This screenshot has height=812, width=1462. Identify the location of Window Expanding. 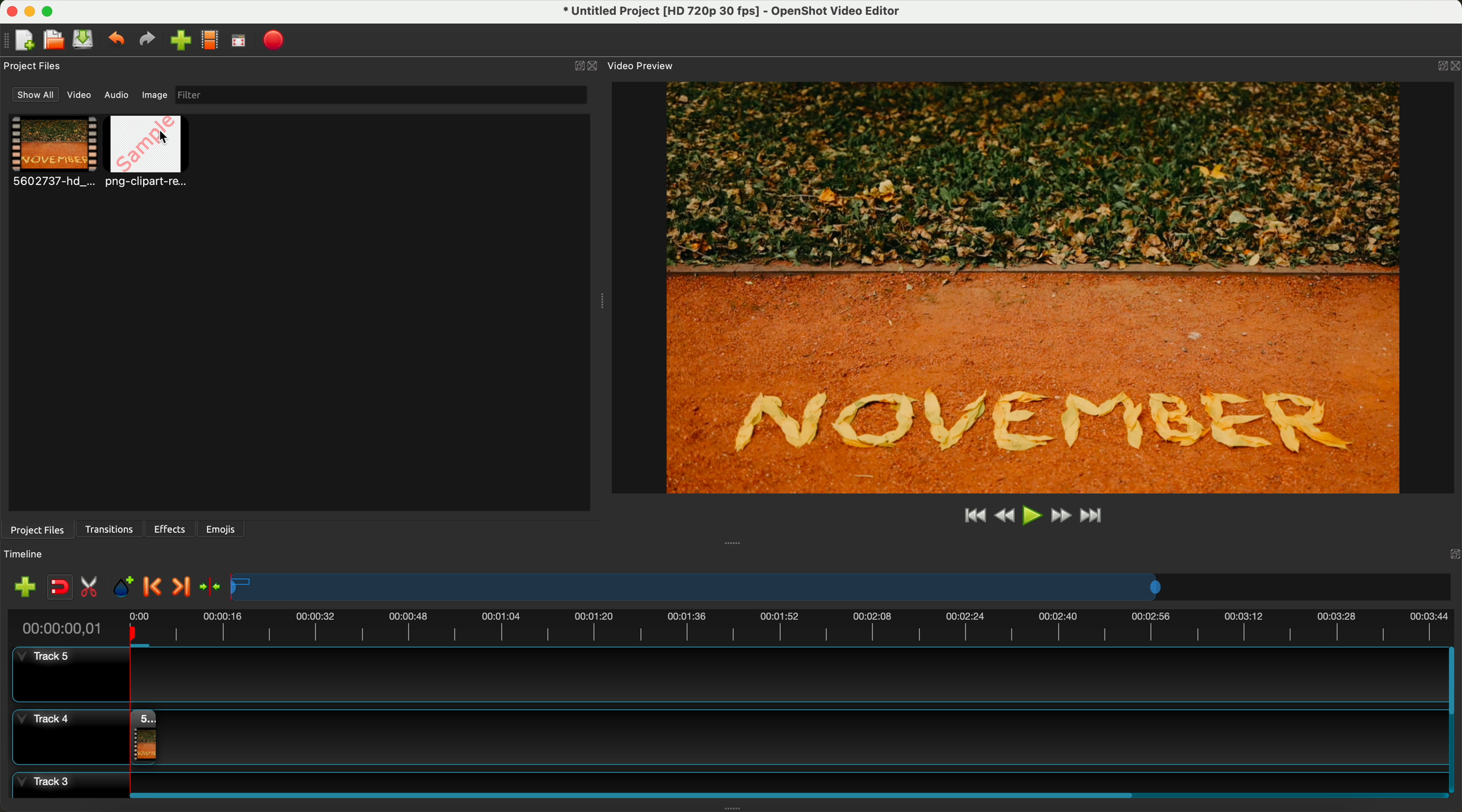
(733, 544).